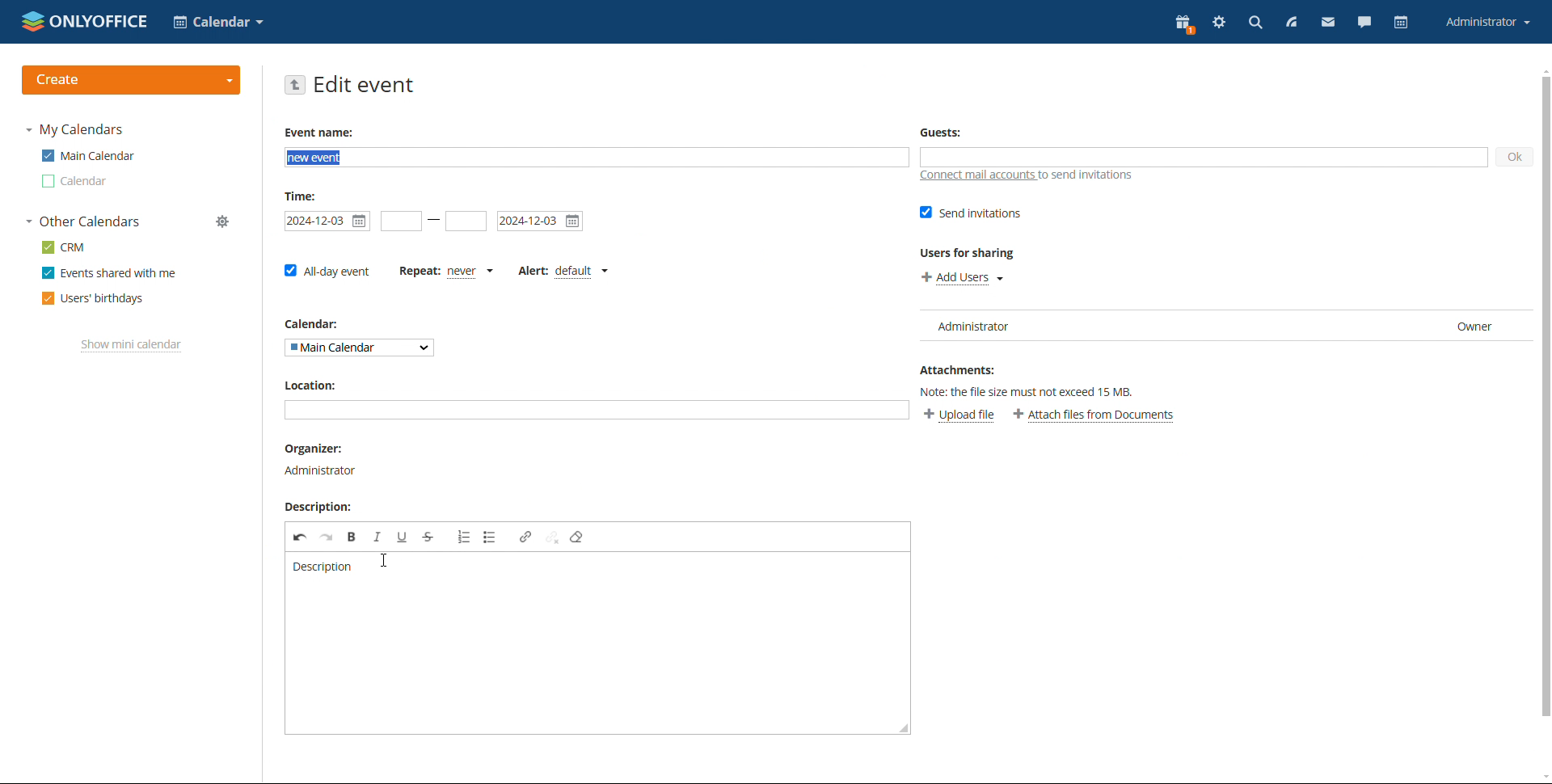 This screenshot has width=1552, height=784. I want to click on set repetition, so click(415, 272).